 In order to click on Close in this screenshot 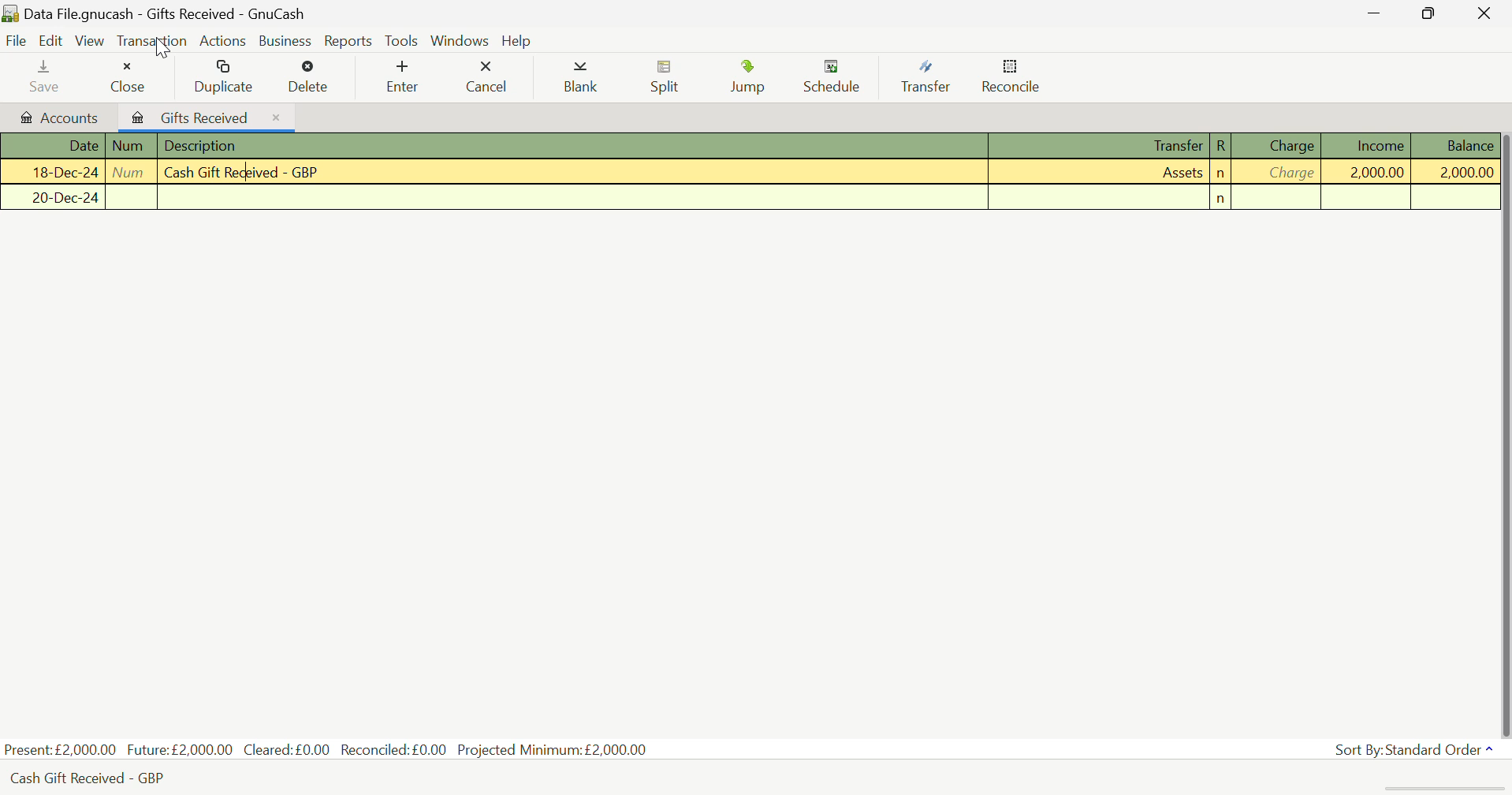, I will do `click(127, 73)`.